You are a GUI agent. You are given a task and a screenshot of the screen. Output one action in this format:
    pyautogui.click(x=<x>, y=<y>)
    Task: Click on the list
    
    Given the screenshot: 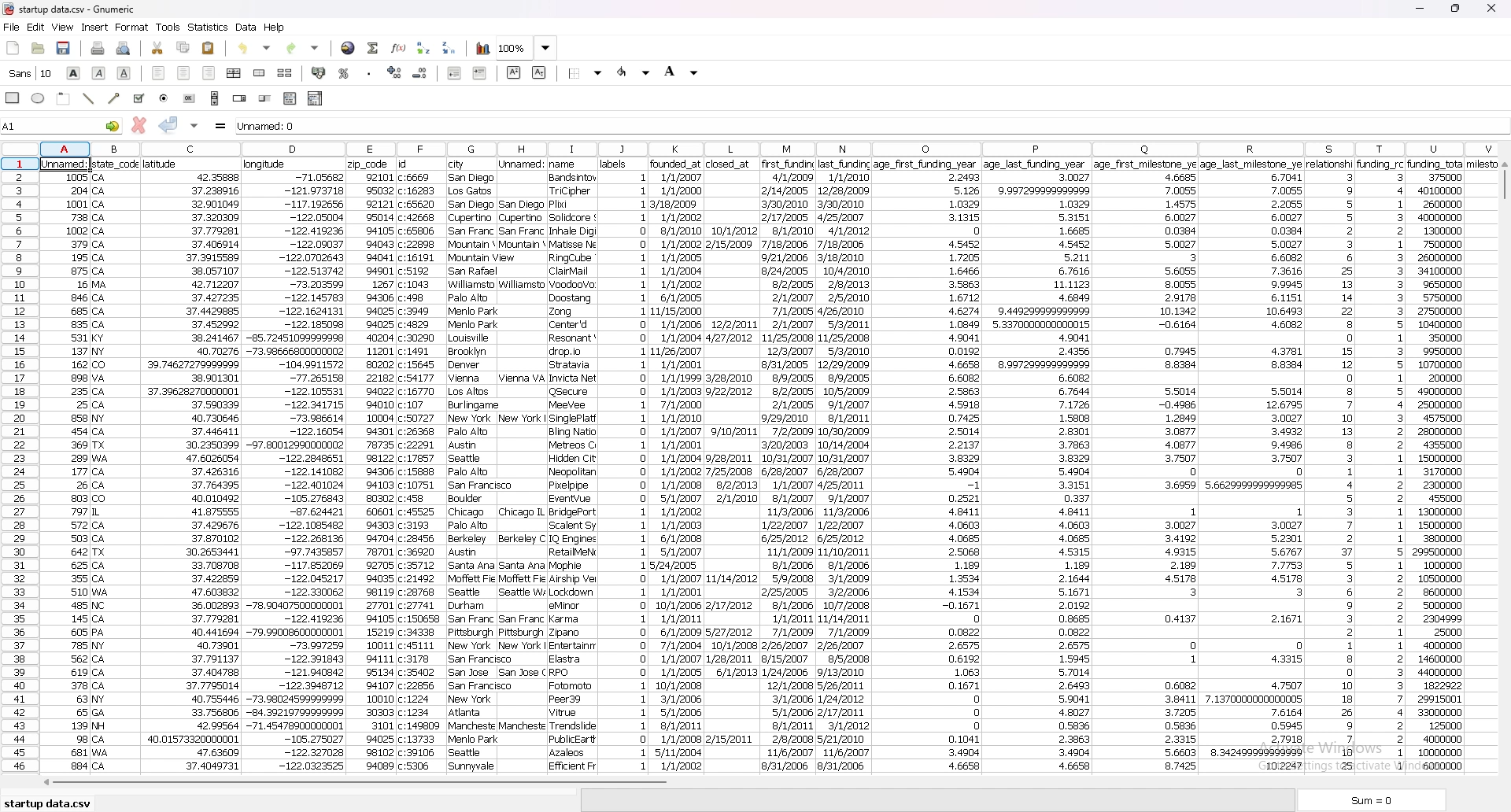 What is the action you would take?
    pyautogui.click(x=290, y=99)
    